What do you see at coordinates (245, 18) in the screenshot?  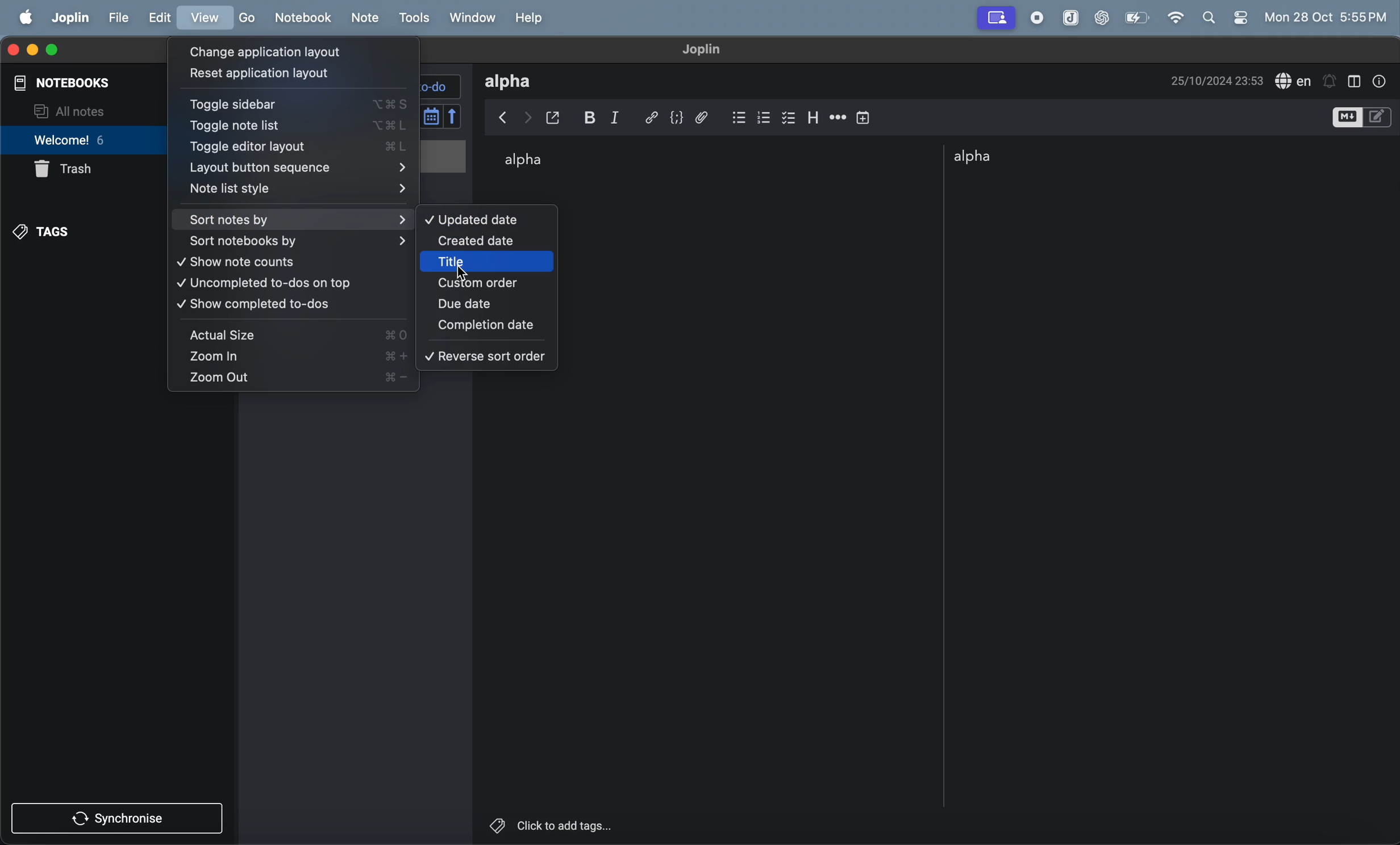 I see `go` at bounding box center [245, 18].